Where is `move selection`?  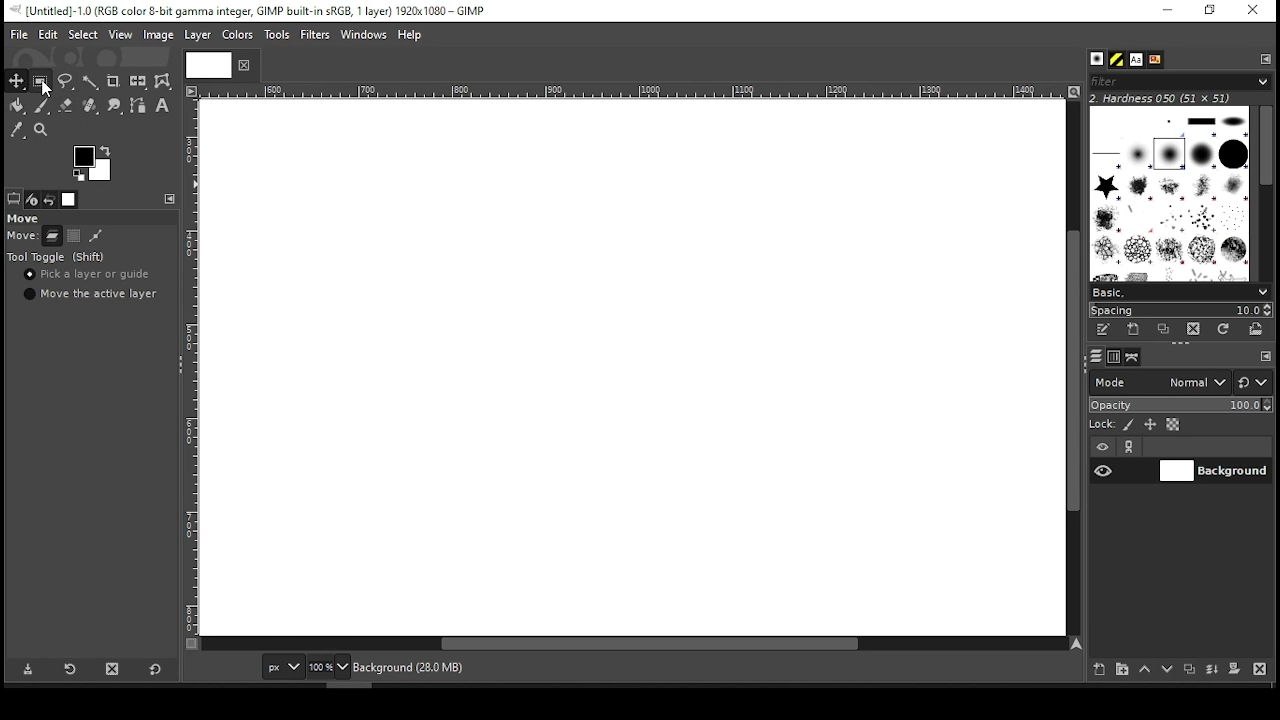
move selection is located at coordinates (74, 236).